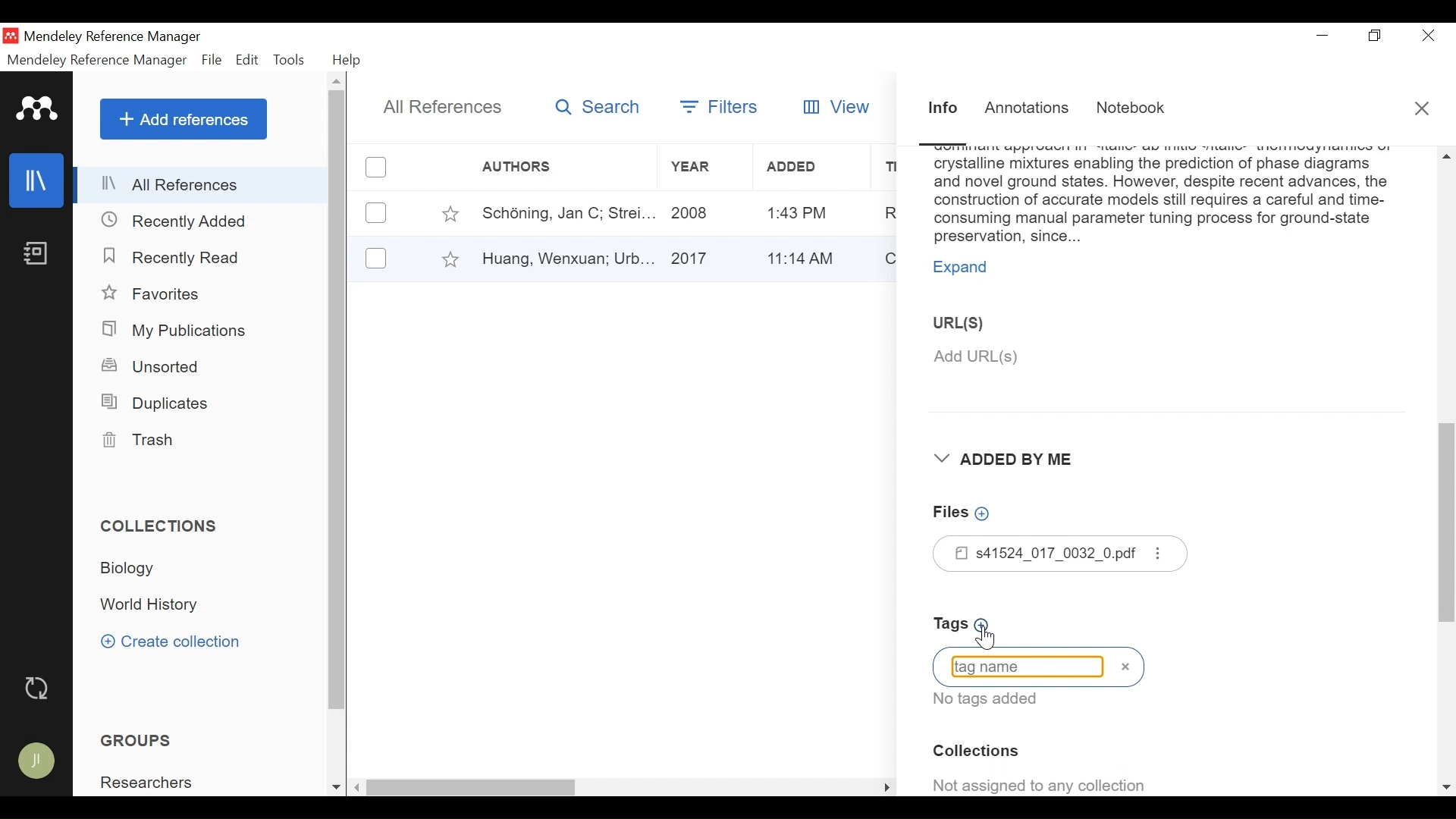  I want to click on Unsorted, so click(152, 366).